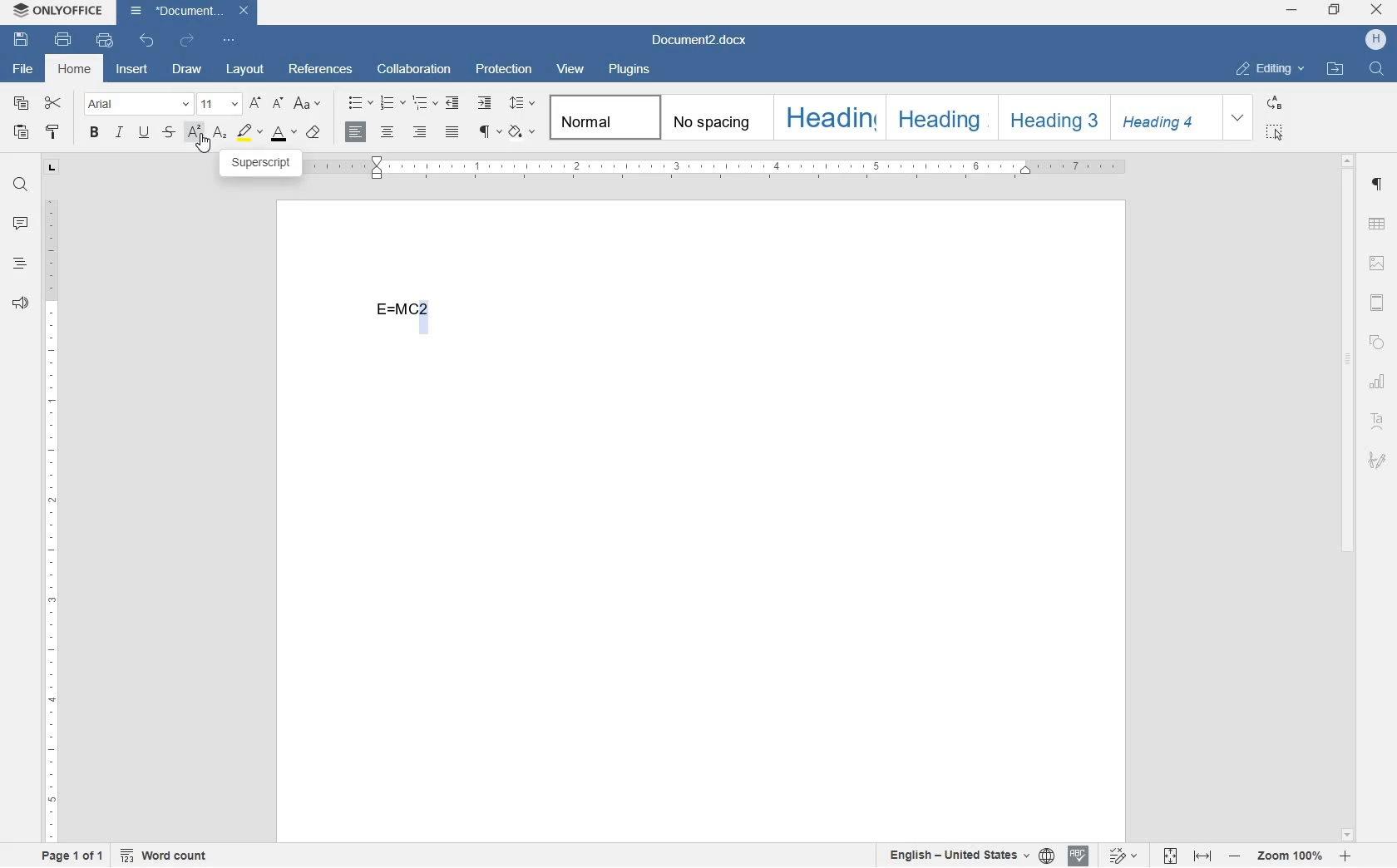 Image resolution: width=1397 pixels, height=868 pixels. I want to click on collaboration, so click(417, 69).